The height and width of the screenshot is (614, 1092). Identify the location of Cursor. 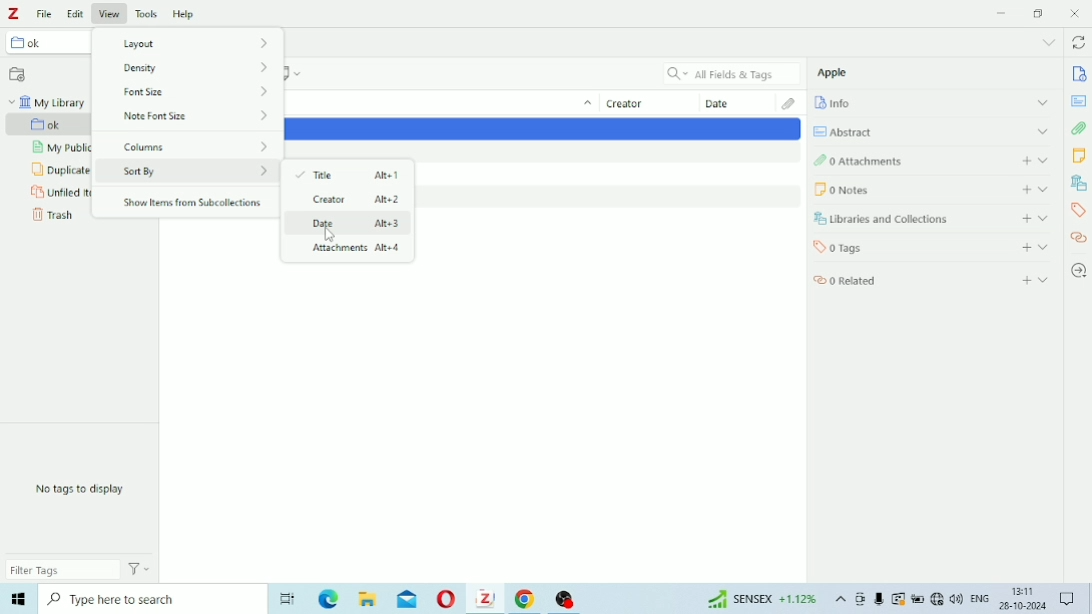
(330, 235).